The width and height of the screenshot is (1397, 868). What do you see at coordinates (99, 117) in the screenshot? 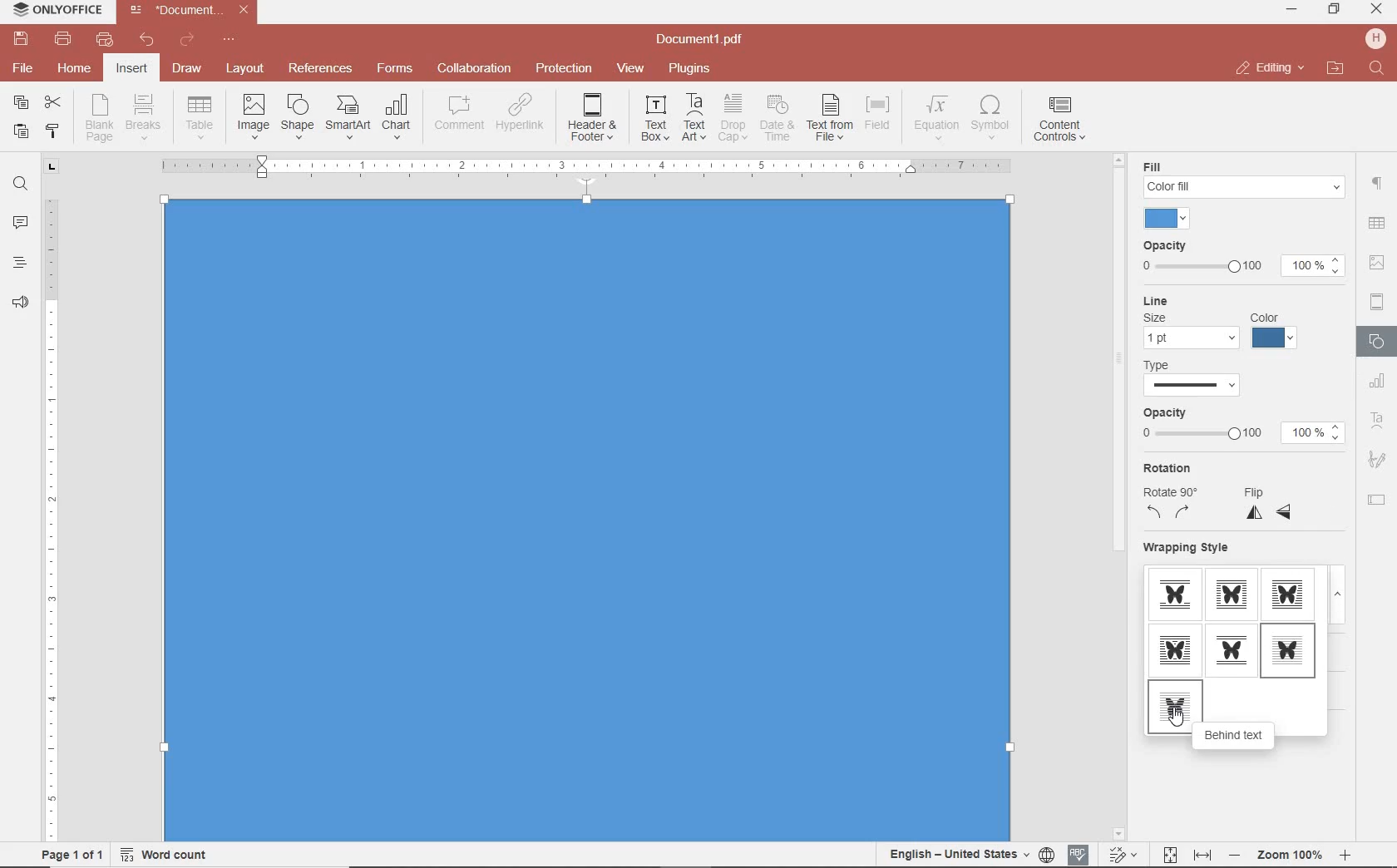
I see `INSERT BLANK PAGE` at bounding box center [99, 117].